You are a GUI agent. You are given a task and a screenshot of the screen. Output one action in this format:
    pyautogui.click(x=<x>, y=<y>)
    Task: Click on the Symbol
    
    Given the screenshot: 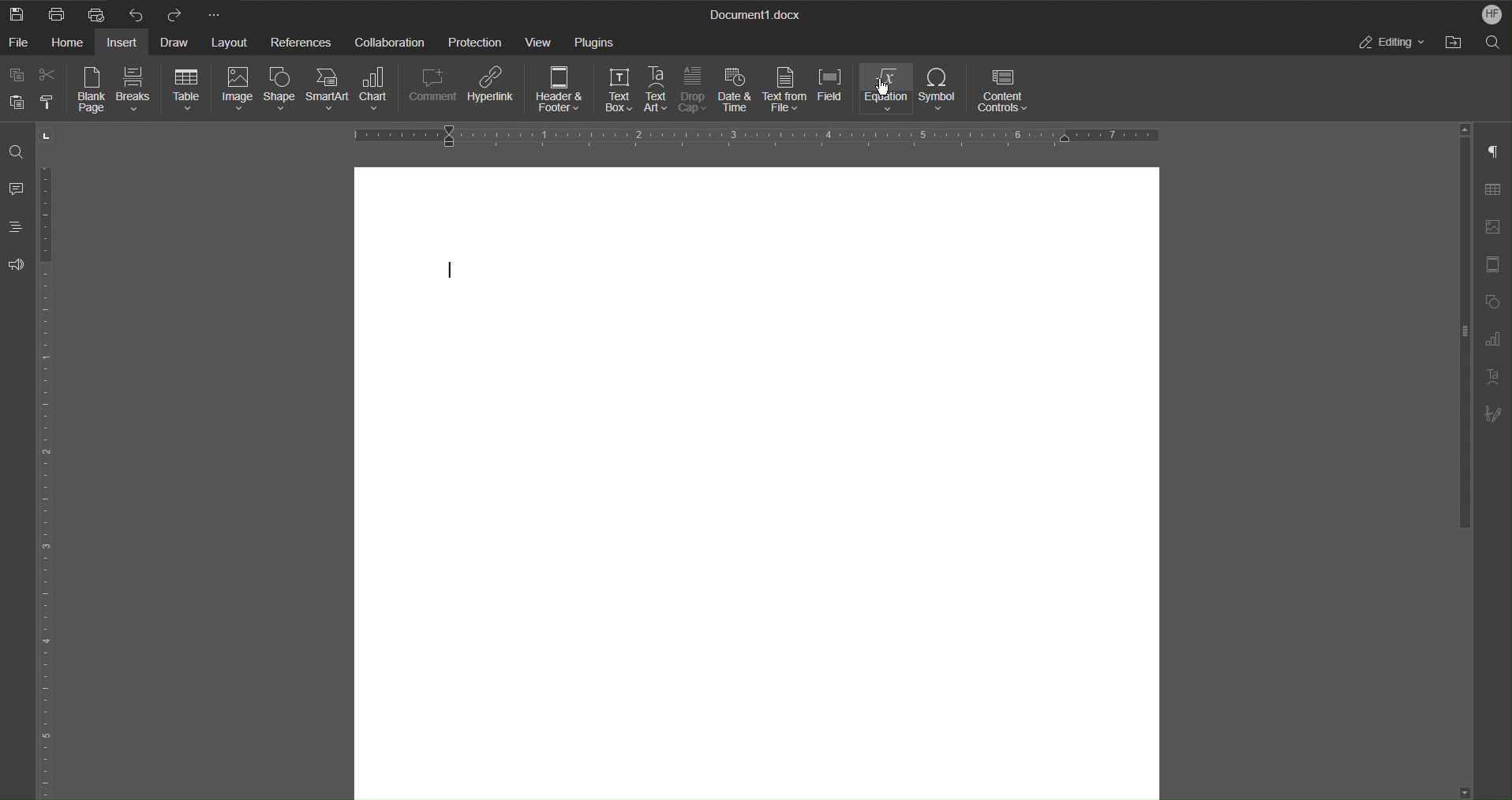 What is the action you would take?
    pyautogui.click(x=939, y=90)
    